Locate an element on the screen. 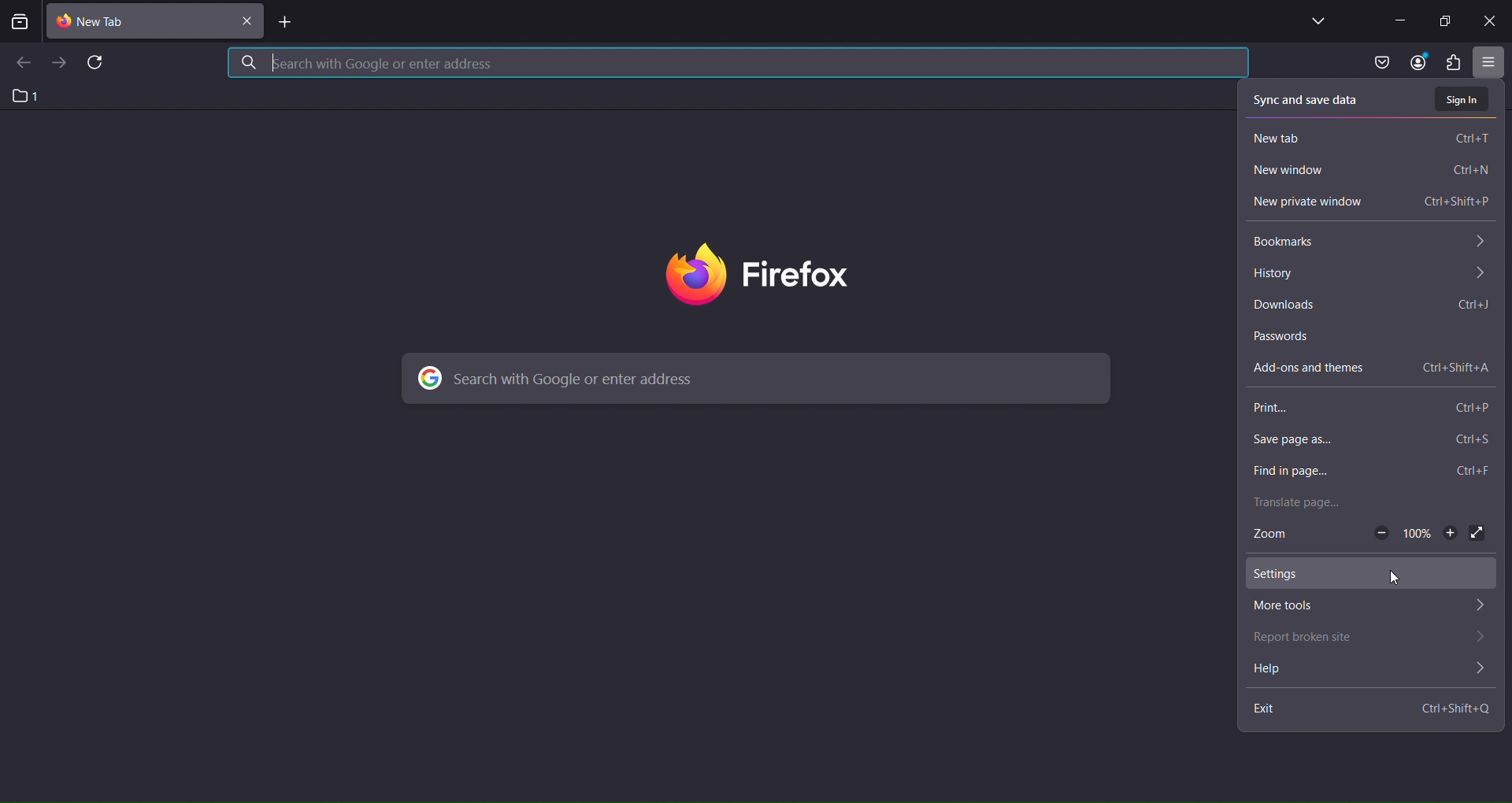 This screenshot has width=1512, height=803. print is located at coordinates (1365, 409).